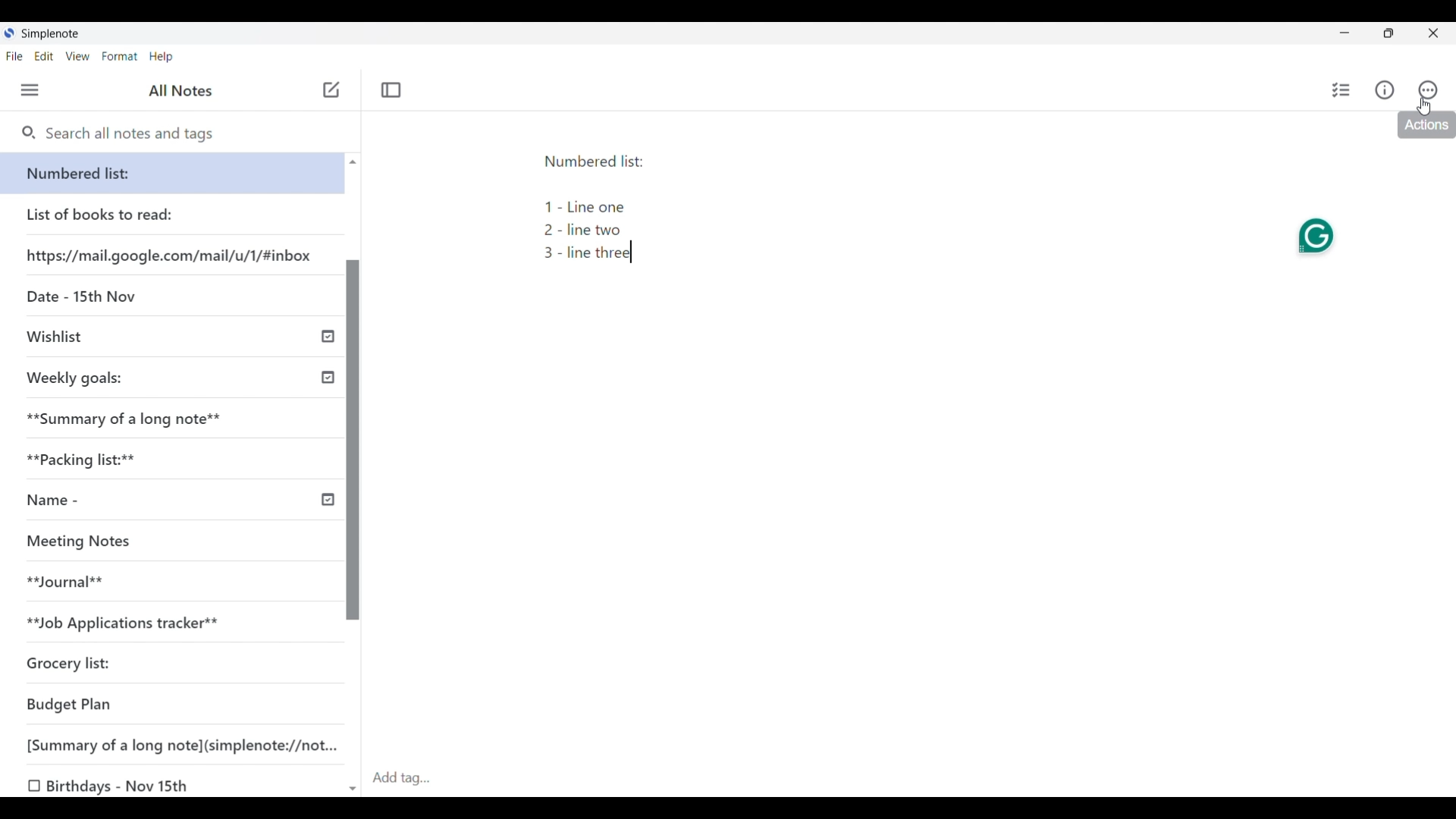  Describe the element at coordinates (93, 298) in the screenshot. I see `Date - 15th Nov` at that location.